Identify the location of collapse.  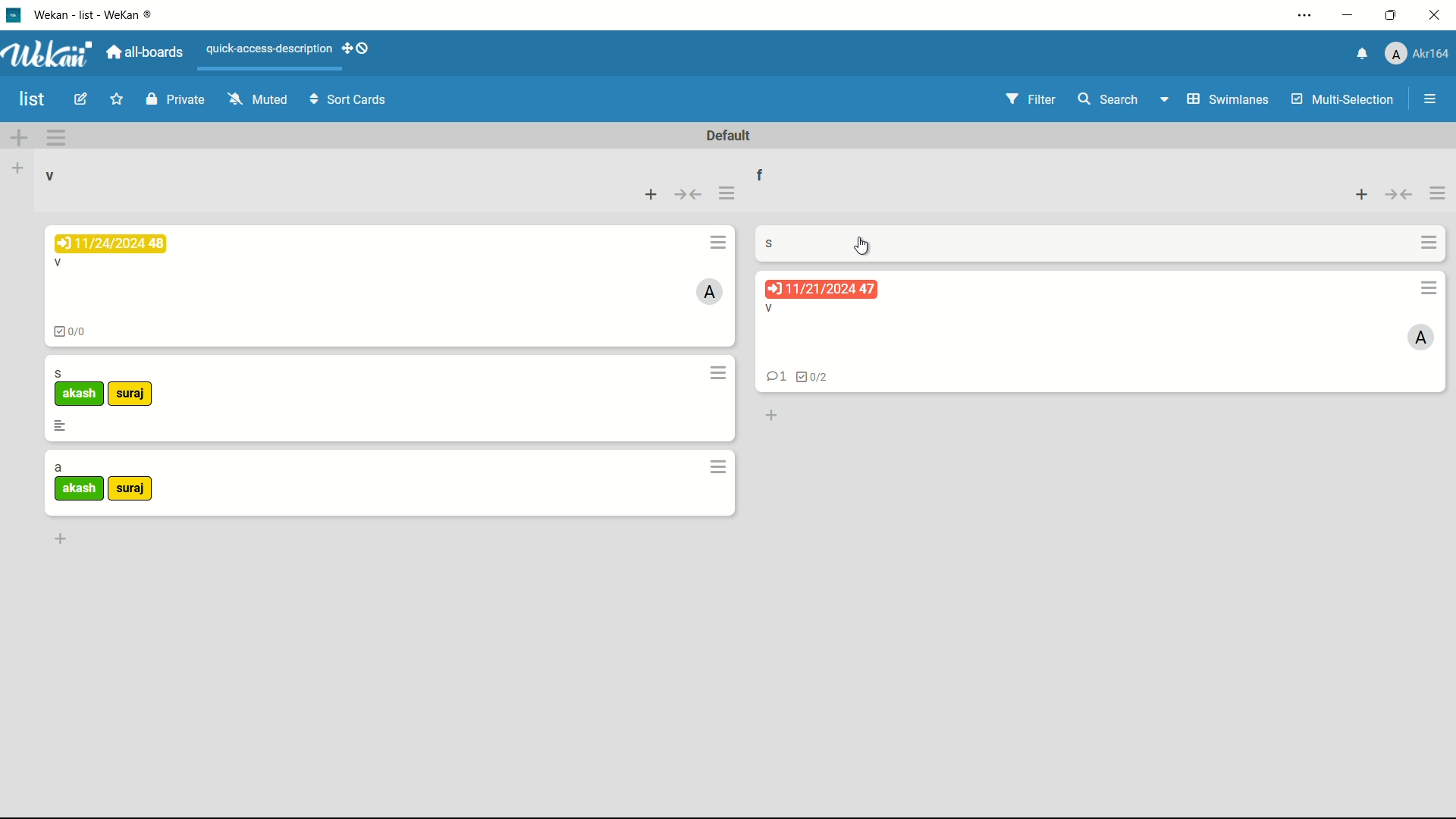
(691, 196).